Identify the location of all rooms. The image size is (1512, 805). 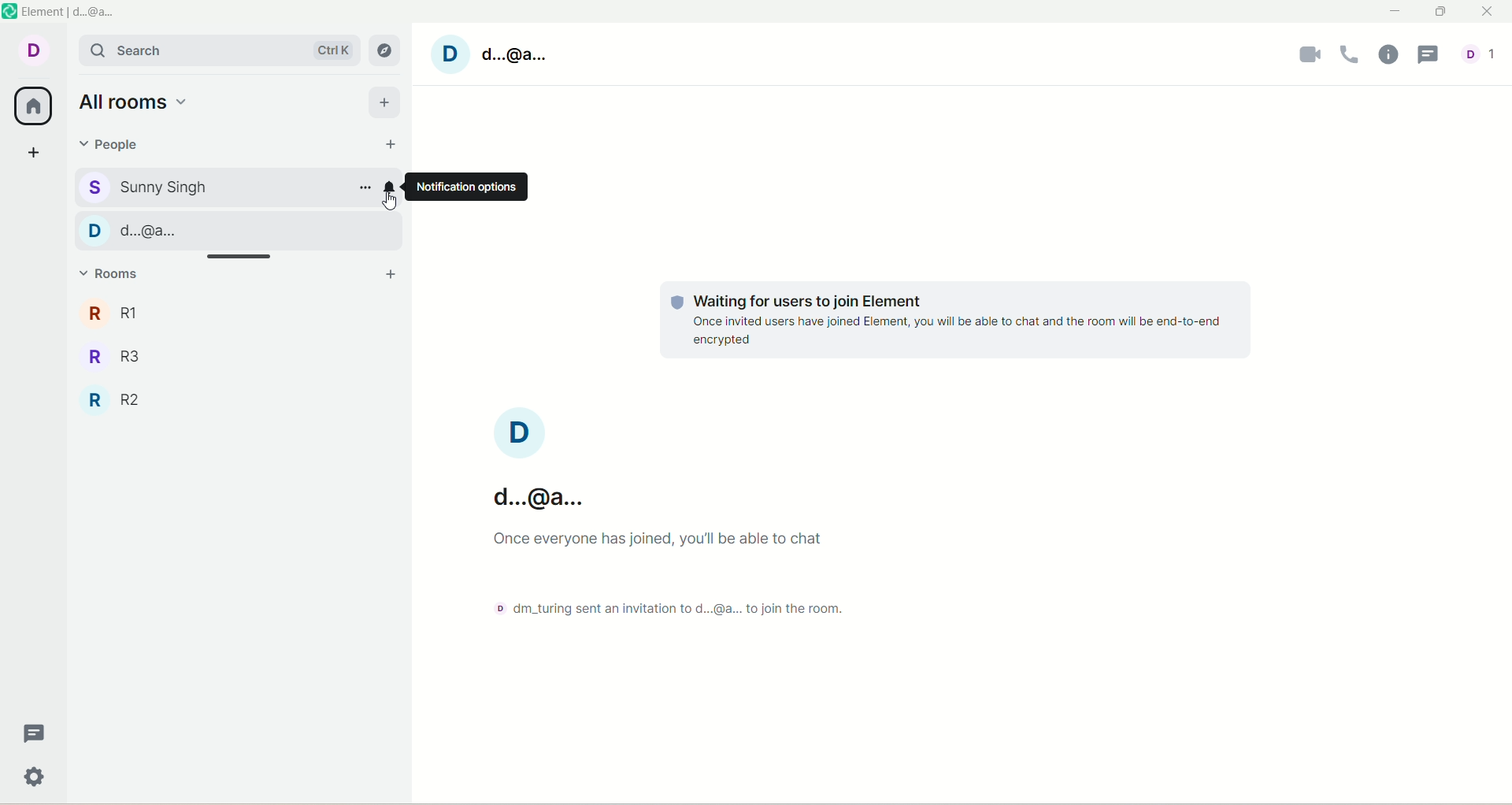
(30, 106).